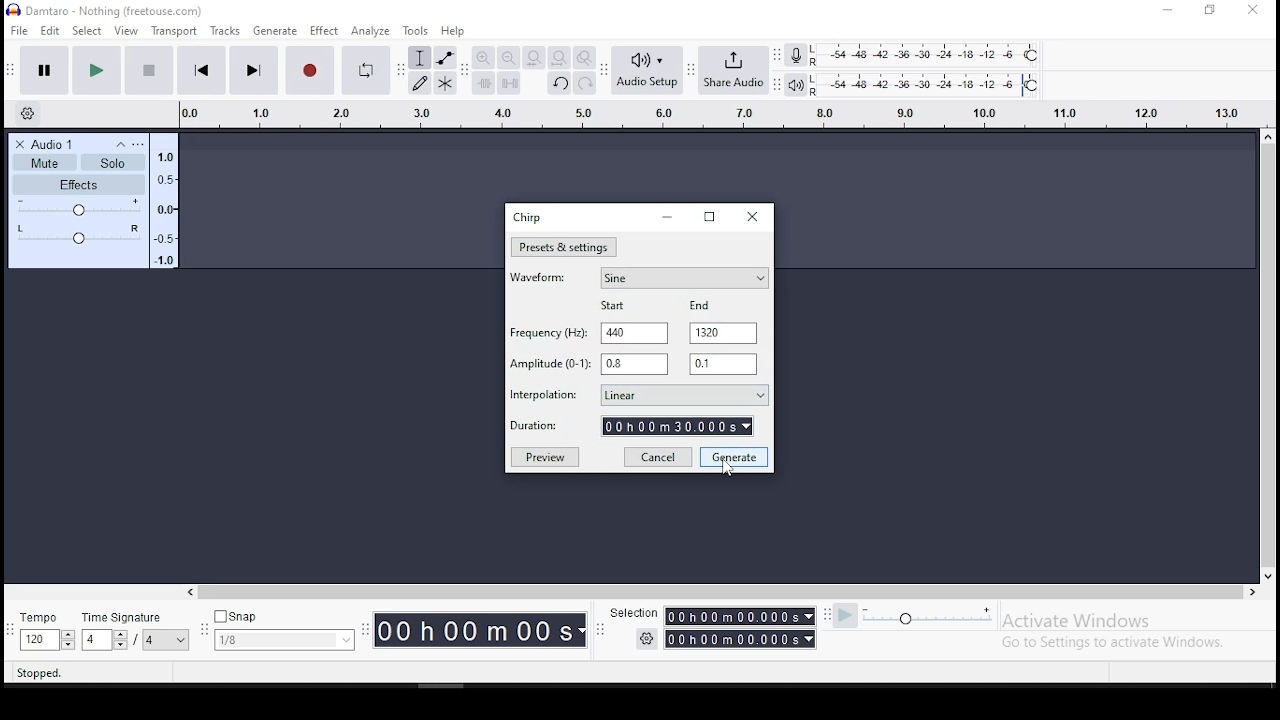 This screenshot has width=1280, height=720. What do you see at coordinates (98, 69) in the screenshot?
I see `play` at bounding box center [98, 69].